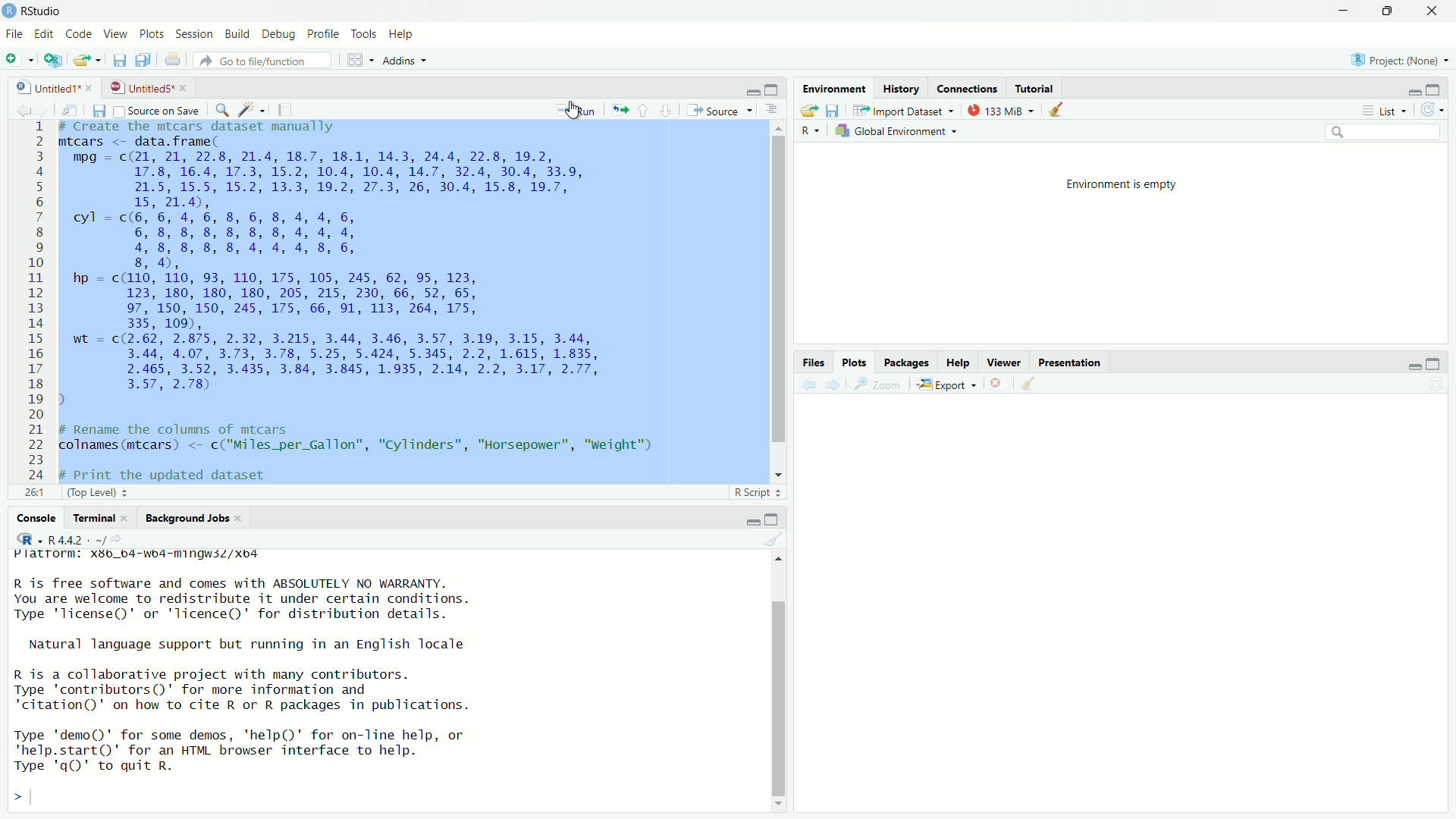  What do you see at coordinates (946, 385) in the screenshot?
I see `Export ~` at bounding box center [946, 385].